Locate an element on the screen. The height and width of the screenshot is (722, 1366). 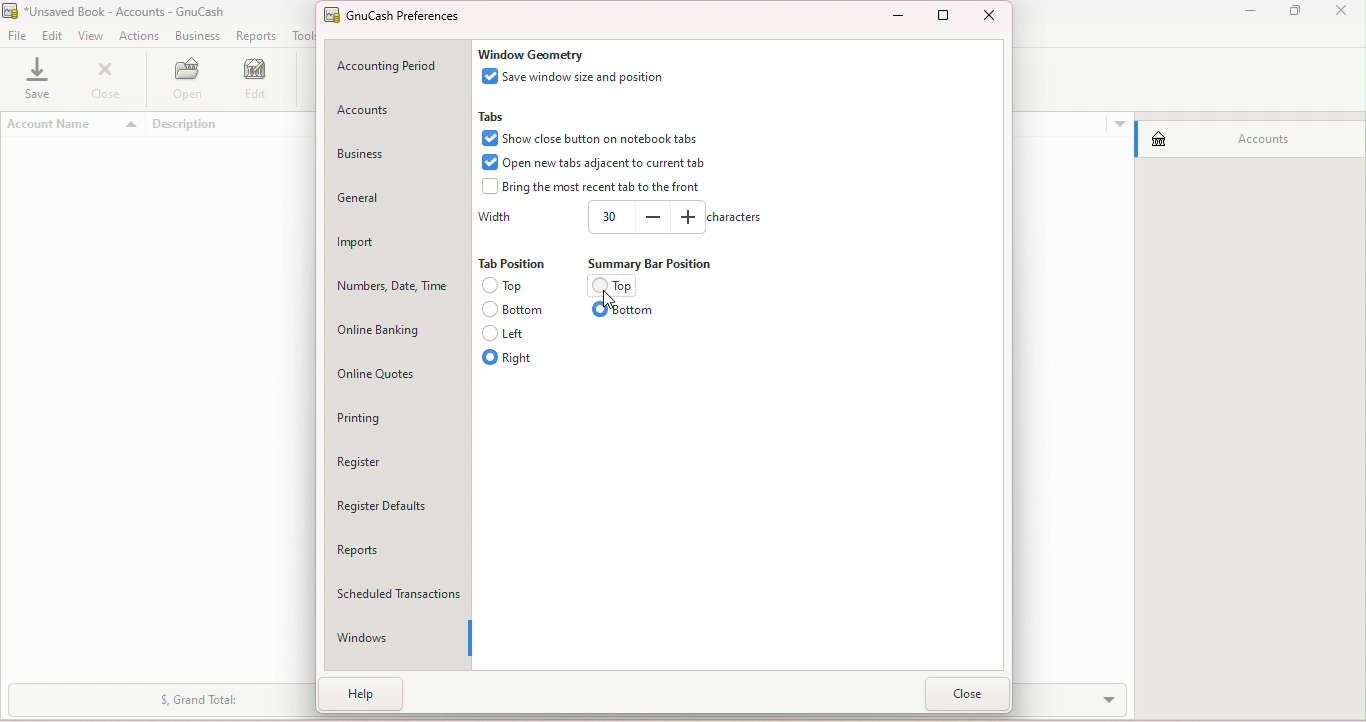
Scheduled Transaction is located at coordinates (405, 593).